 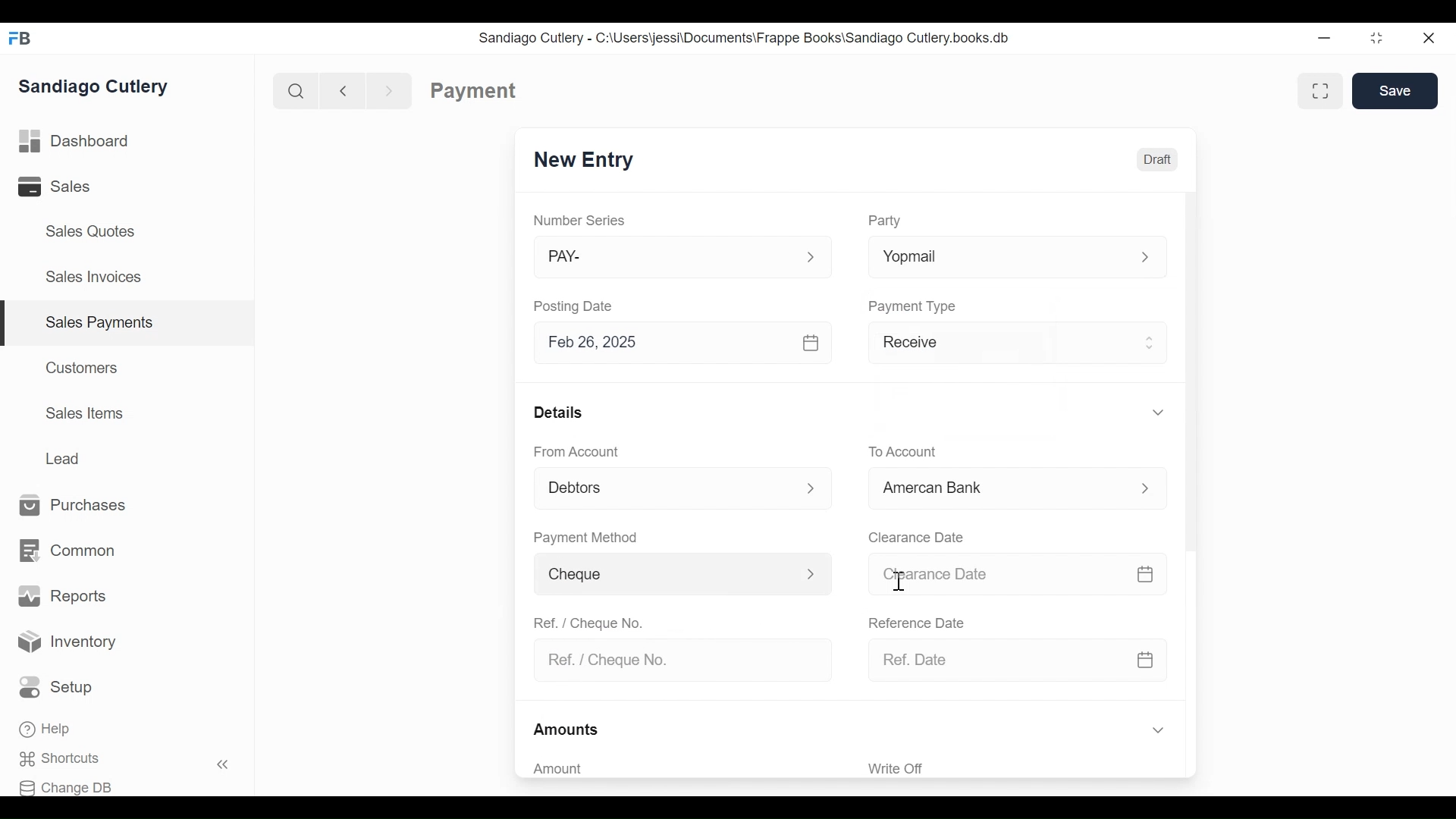 What do you see at coordinates (74, 142) in the screenshot?
I see `Dashboard` at bounding box center [74, 142].